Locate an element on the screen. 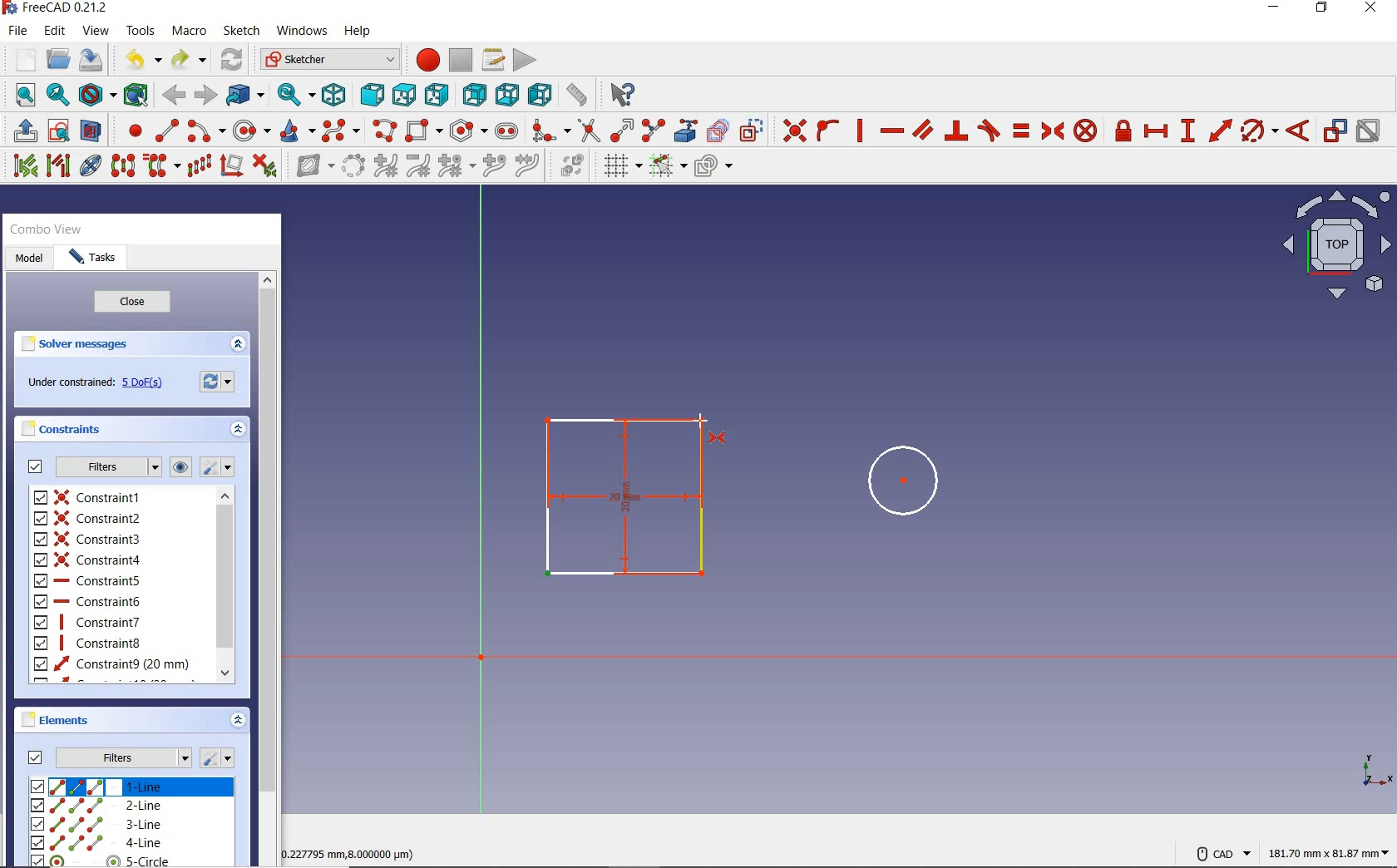 The height and width of the screenshot is (868, 1397). increase b-spline degree is located at coordinates (385, 167).